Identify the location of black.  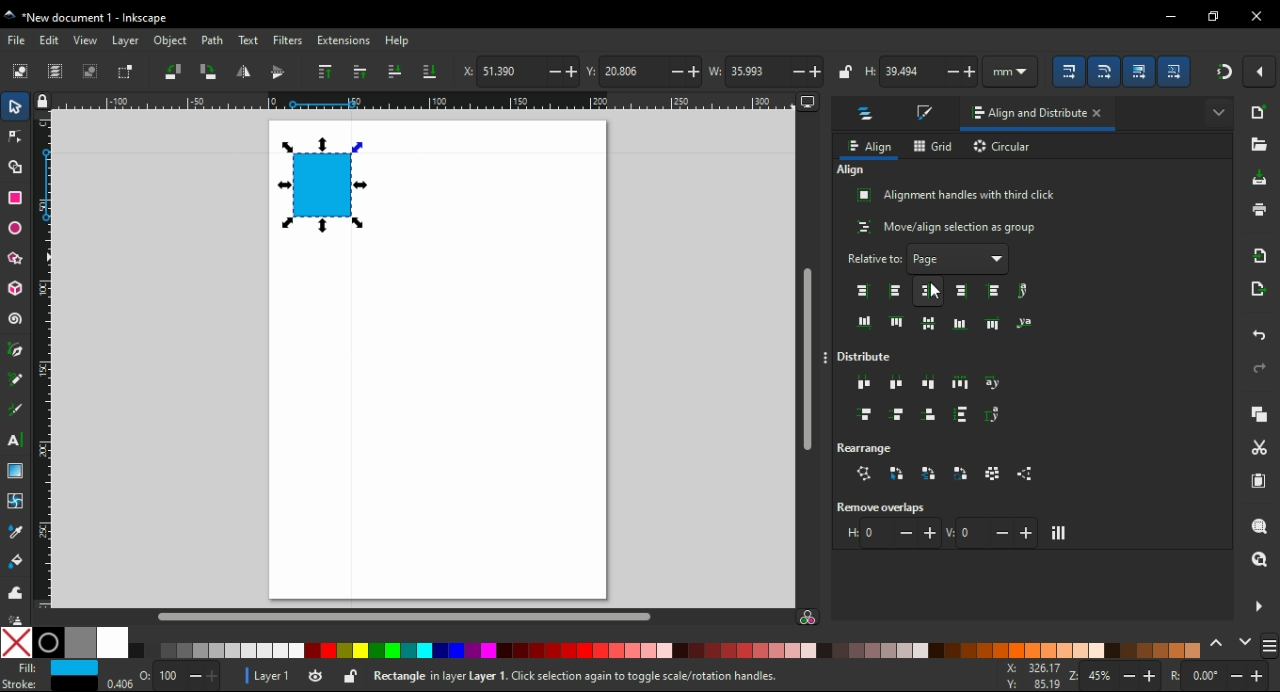
(48, 643).